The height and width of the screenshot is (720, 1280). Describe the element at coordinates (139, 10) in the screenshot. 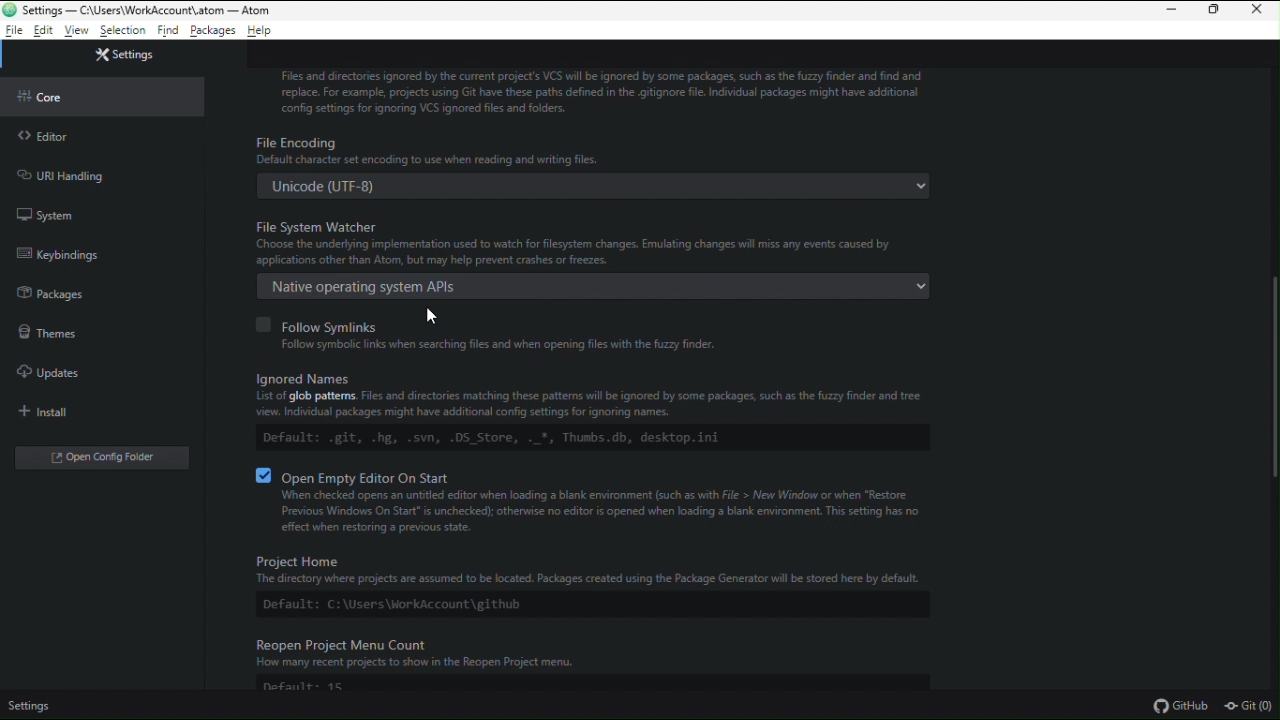

I see `file name and file path` at that location.